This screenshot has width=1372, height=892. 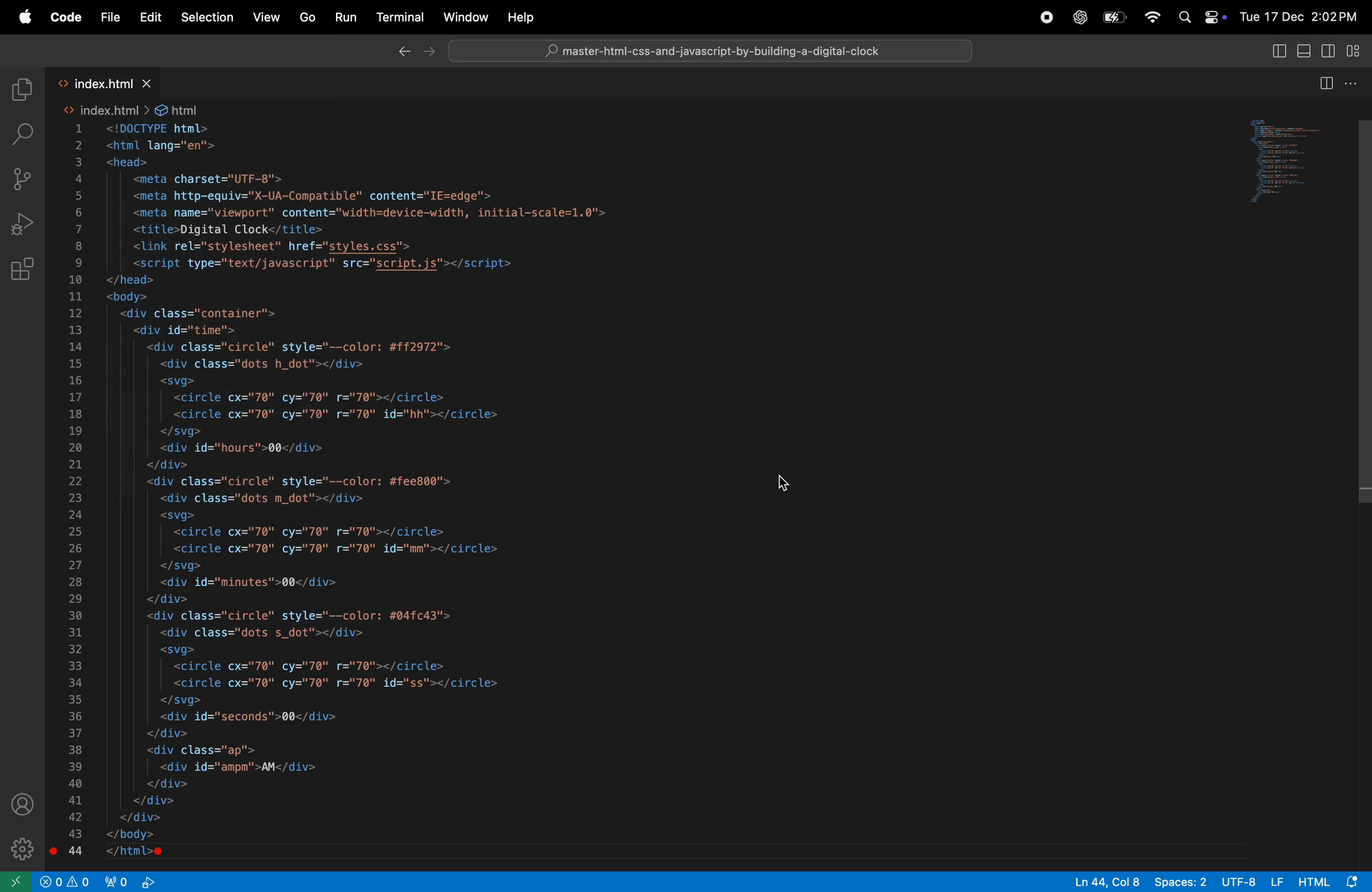 What do you see at coordinates (22, 273) in the screenshot?
I see `extensions` at bounding box center [22, 273].